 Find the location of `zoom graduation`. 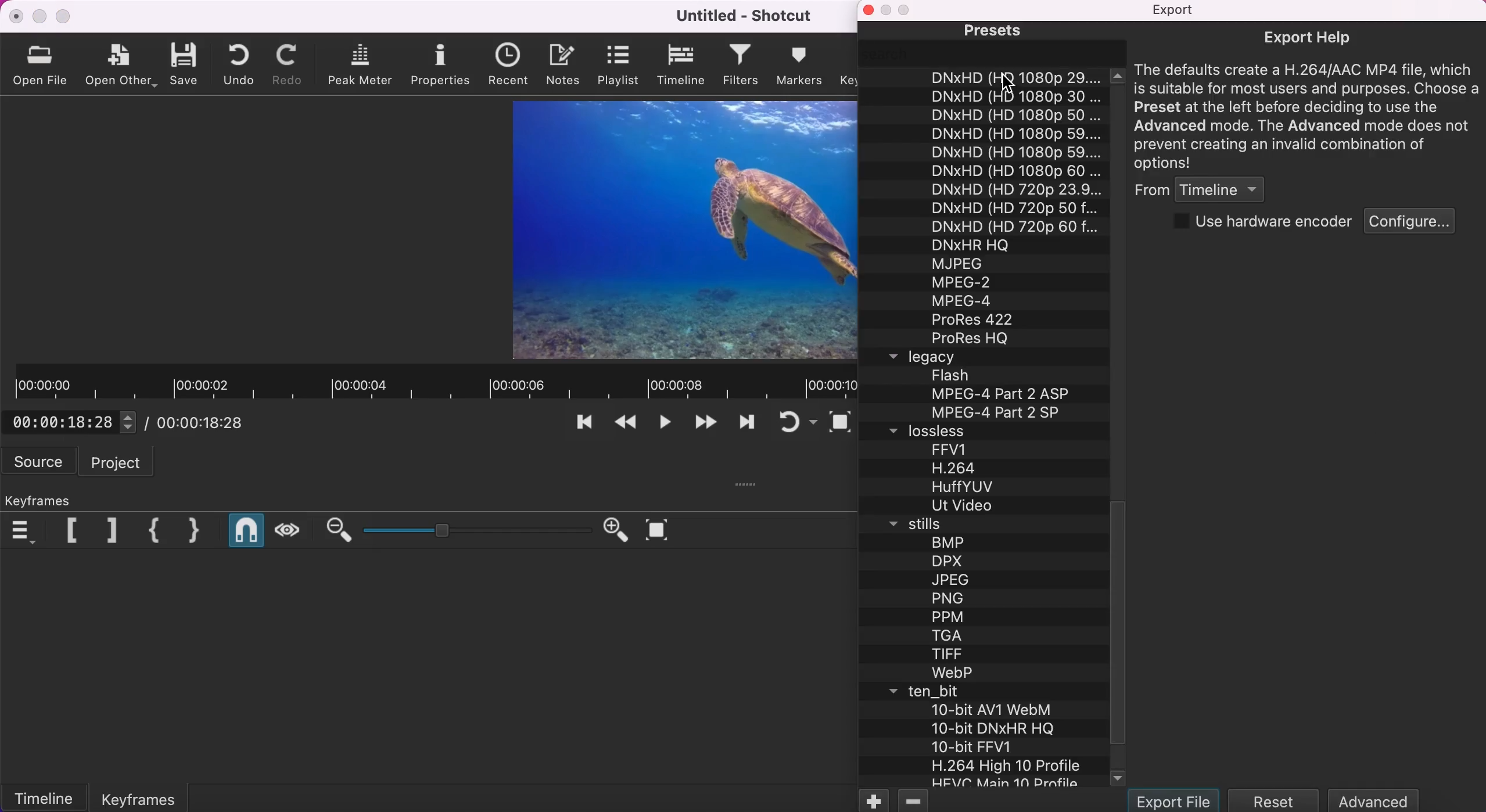

zoom graduation is located at coordinates (473, 530).